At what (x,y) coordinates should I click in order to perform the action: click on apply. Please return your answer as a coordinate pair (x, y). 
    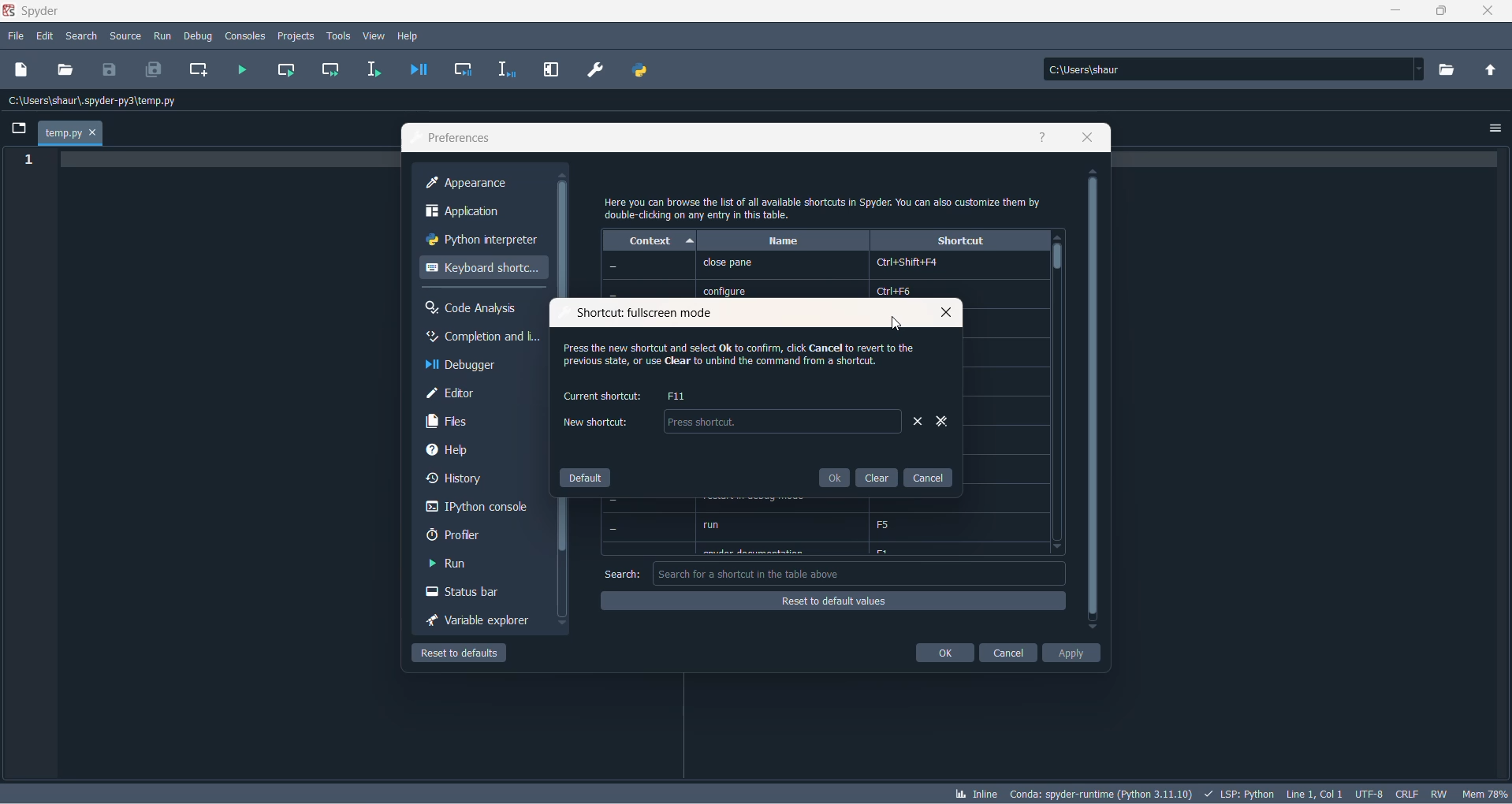
    Looking at the image, I should click on (1072, 655).